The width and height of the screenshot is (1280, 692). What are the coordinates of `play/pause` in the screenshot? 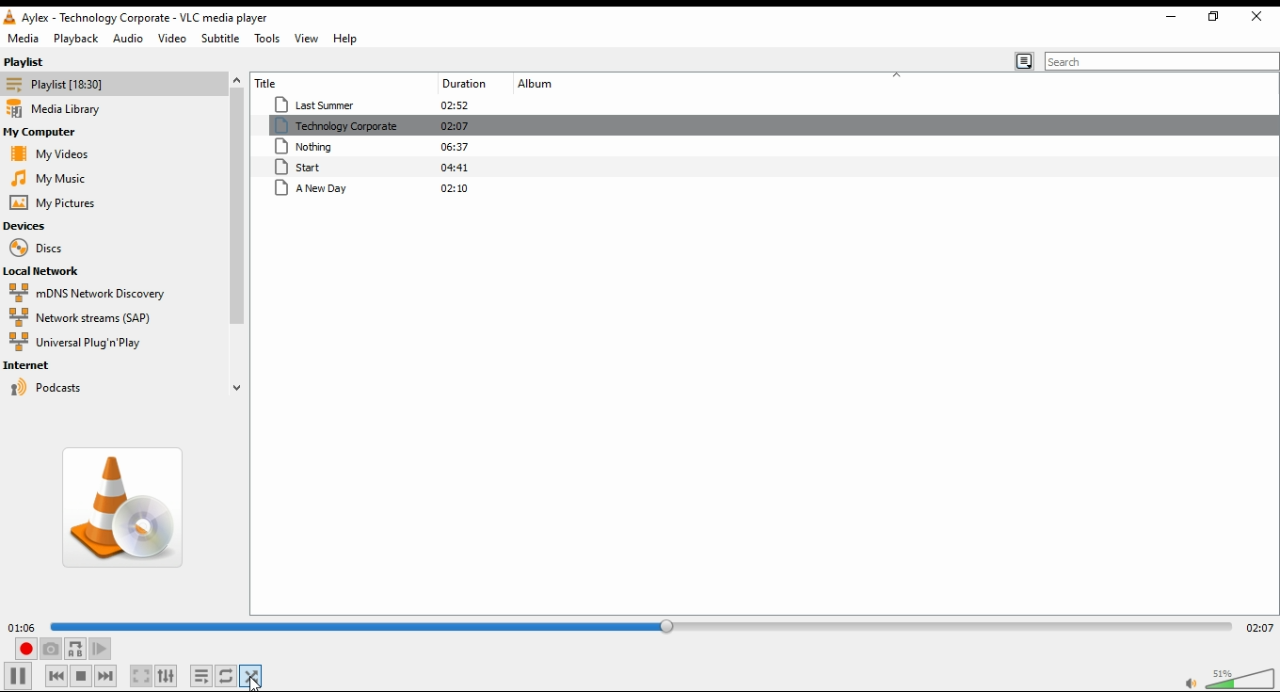 It's located at (20, 677).